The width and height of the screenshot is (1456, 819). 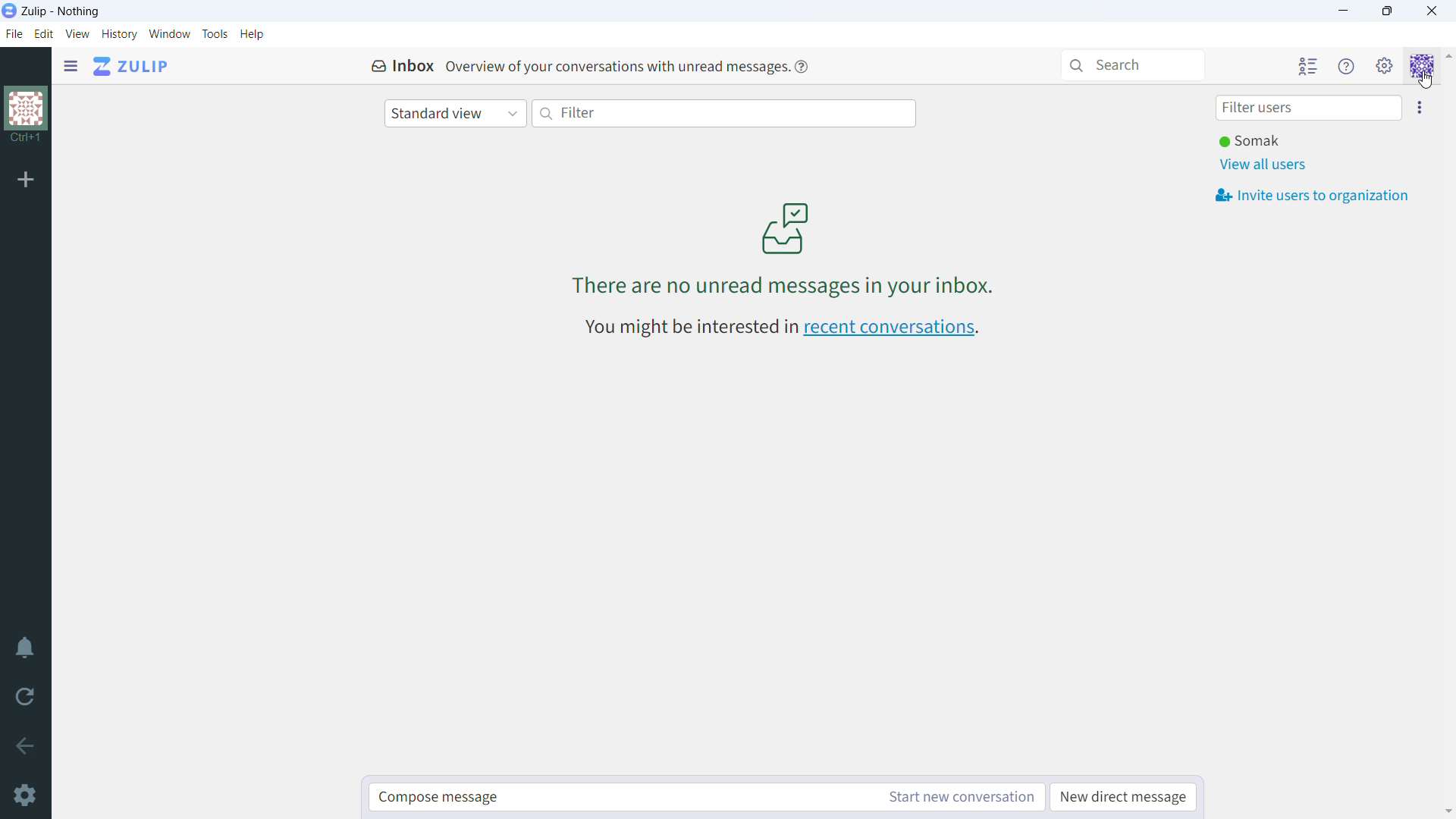 I want to click on organization, so click(x=27, y=115).